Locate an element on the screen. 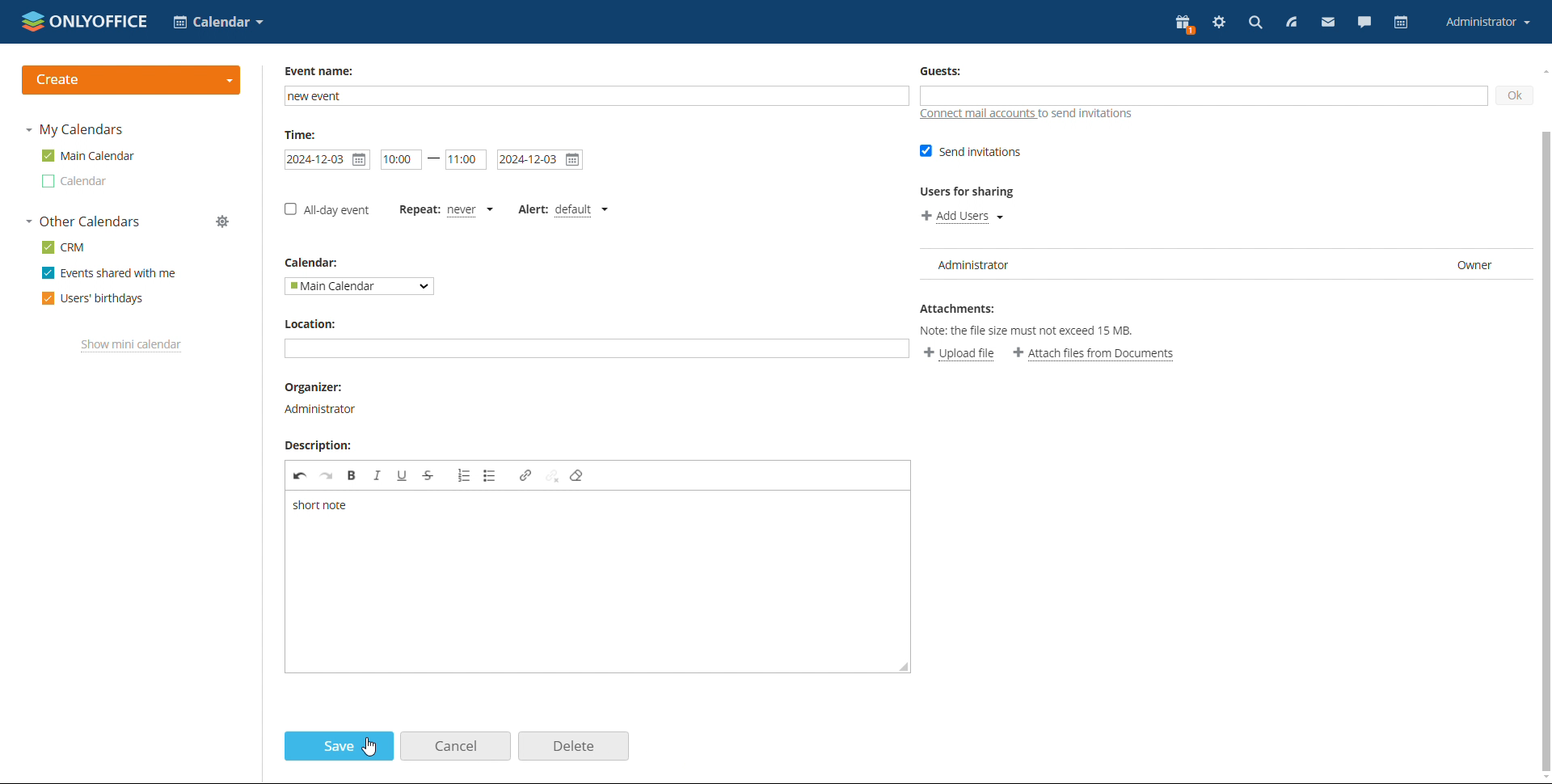  insert/remove bulleted list is located at coordinates (461, 475).